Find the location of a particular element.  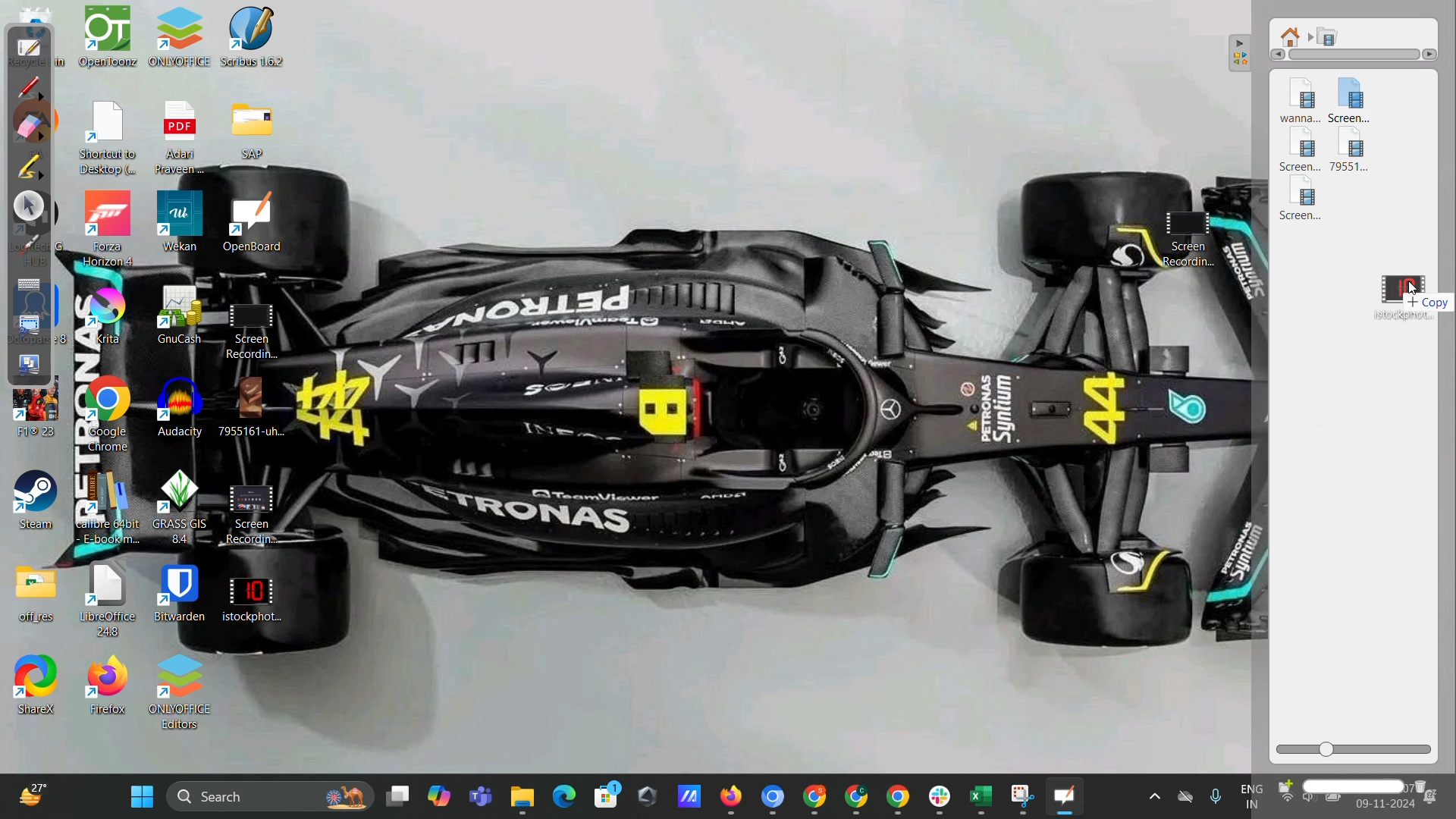

capture screen is located at coordinates (29, 364).